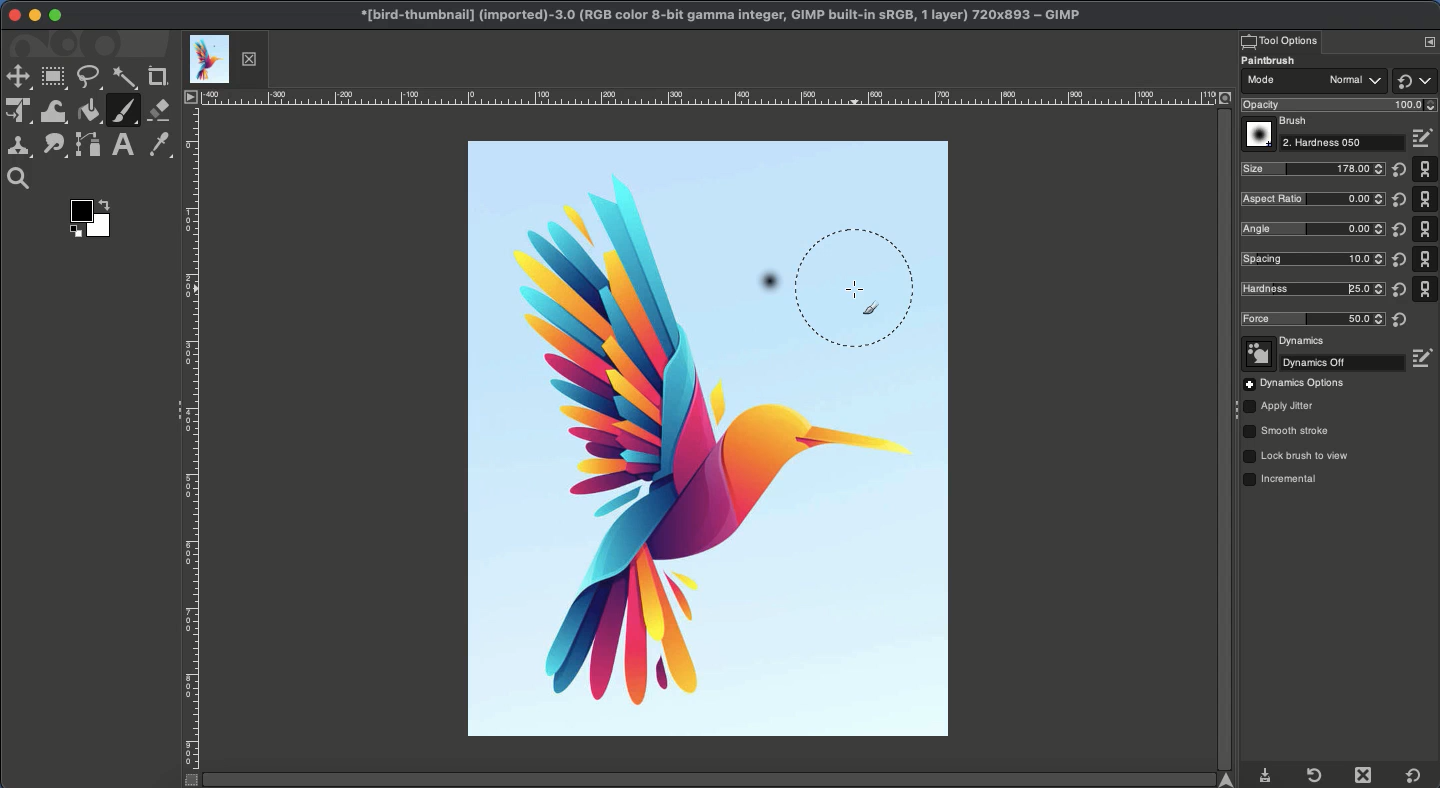 The width and height of the screenshot is (1440, 788). What do you see at coordinates (1425, 139) in the screenshot?
I see `Edit` at bounding box center [1425, 139].